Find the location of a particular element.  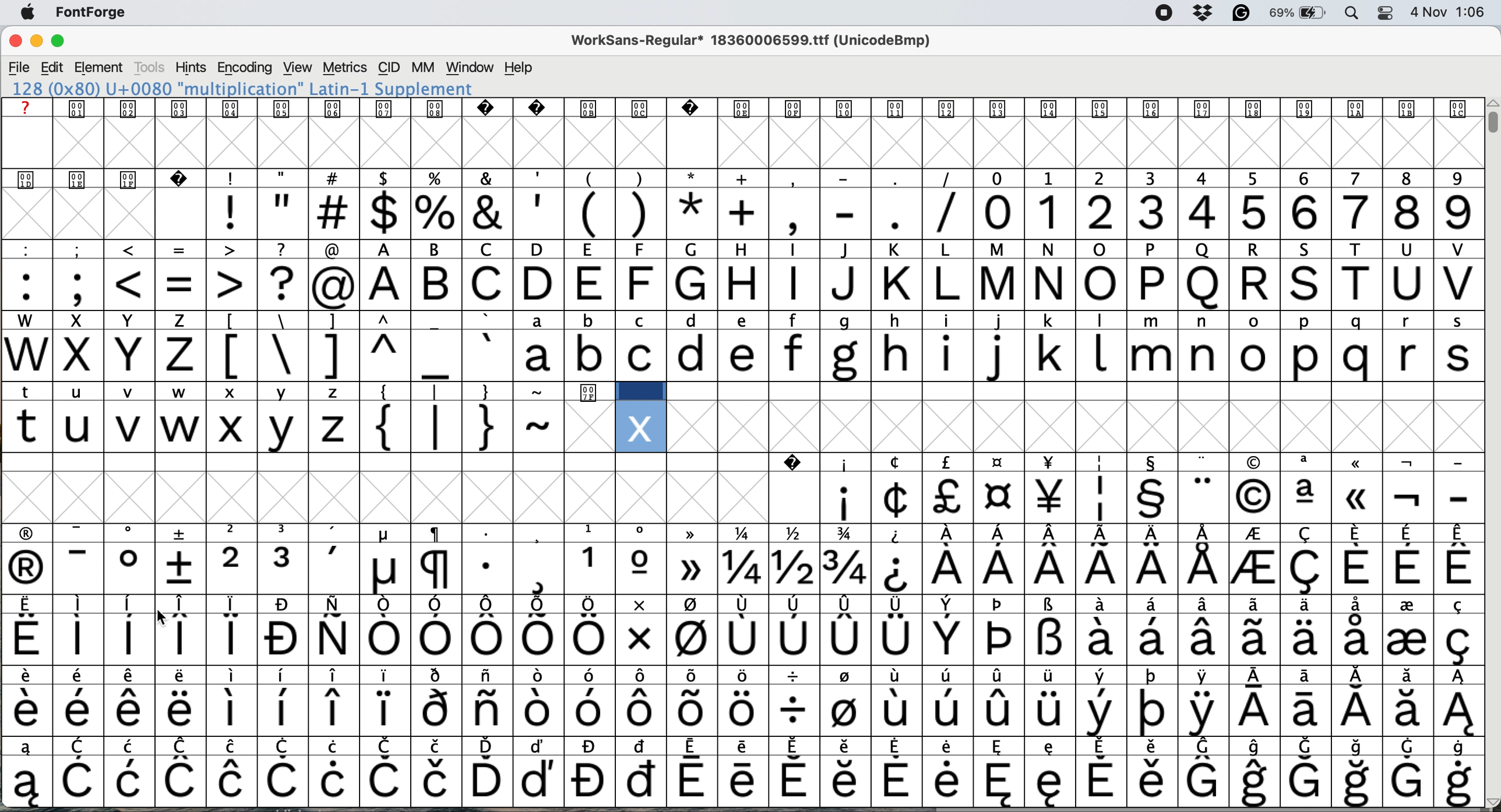

special characters is located at coordinates (362, 392).